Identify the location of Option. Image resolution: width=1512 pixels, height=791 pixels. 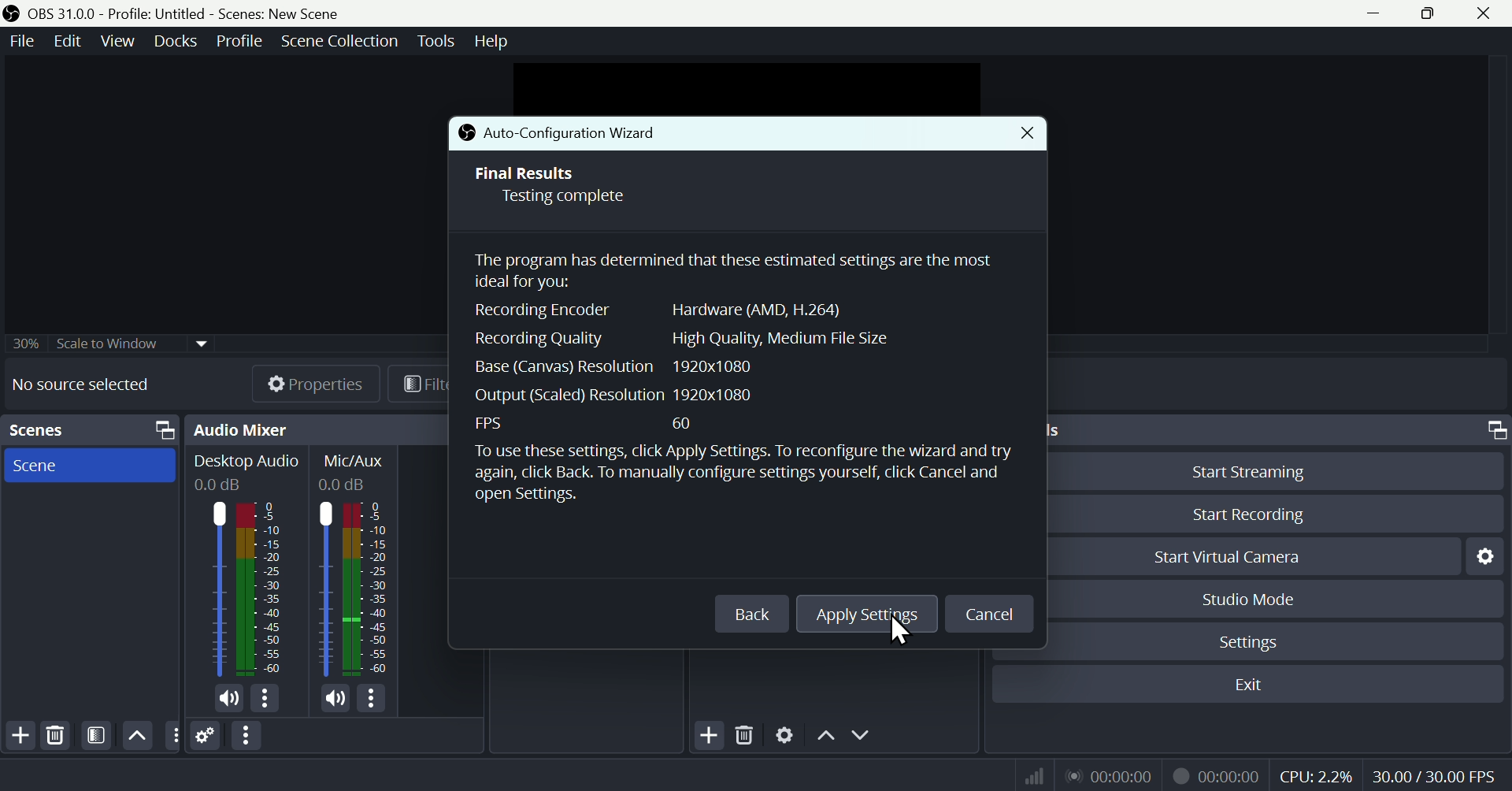
(248, 736).